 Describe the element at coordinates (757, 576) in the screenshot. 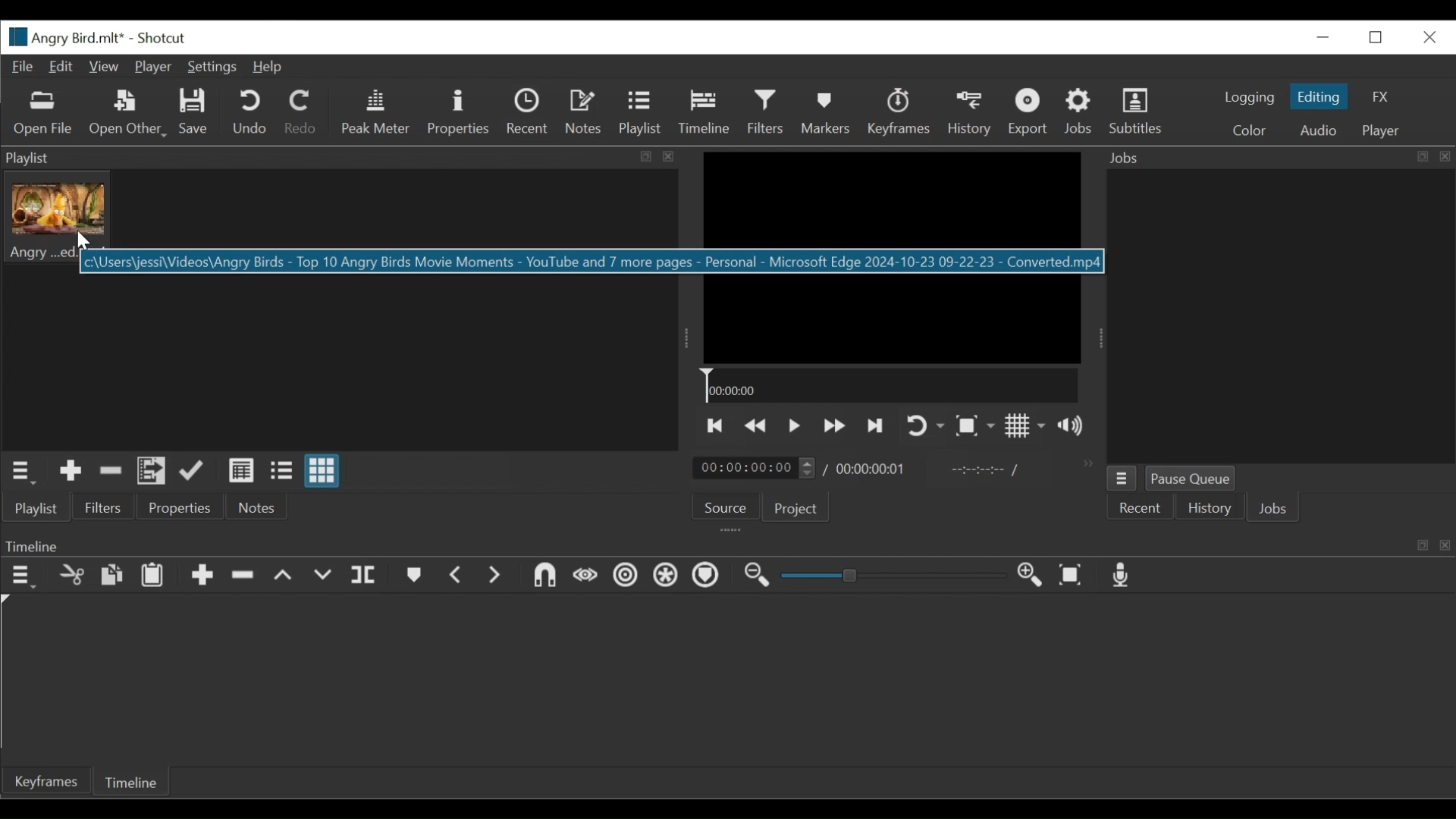

I see `Zoom timeline out` at that location.